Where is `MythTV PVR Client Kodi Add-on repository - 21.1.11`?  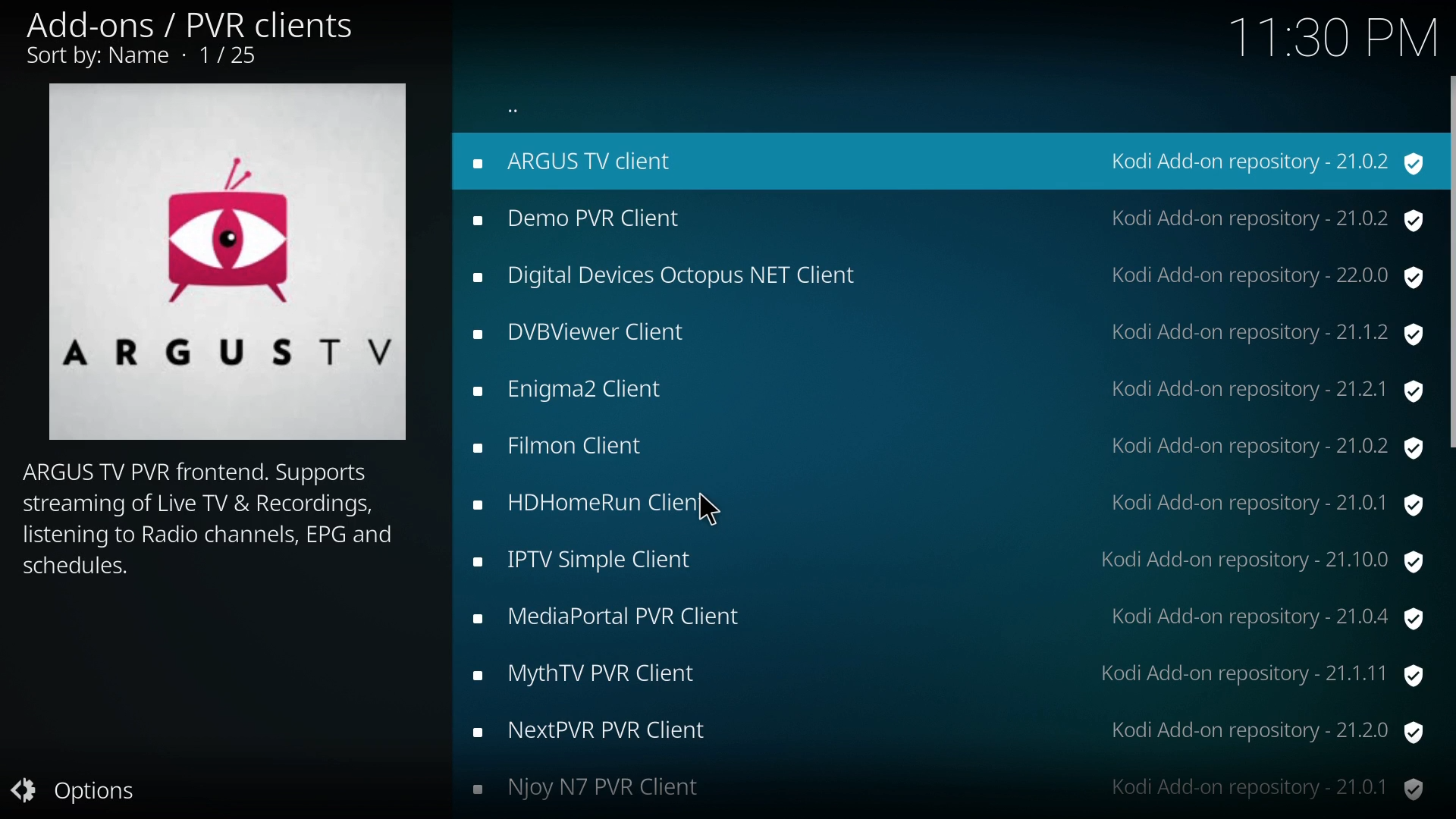
MythTV PVR Client Kodi Add-on repository - 21.1.11 is located at coordinates (945, 674).